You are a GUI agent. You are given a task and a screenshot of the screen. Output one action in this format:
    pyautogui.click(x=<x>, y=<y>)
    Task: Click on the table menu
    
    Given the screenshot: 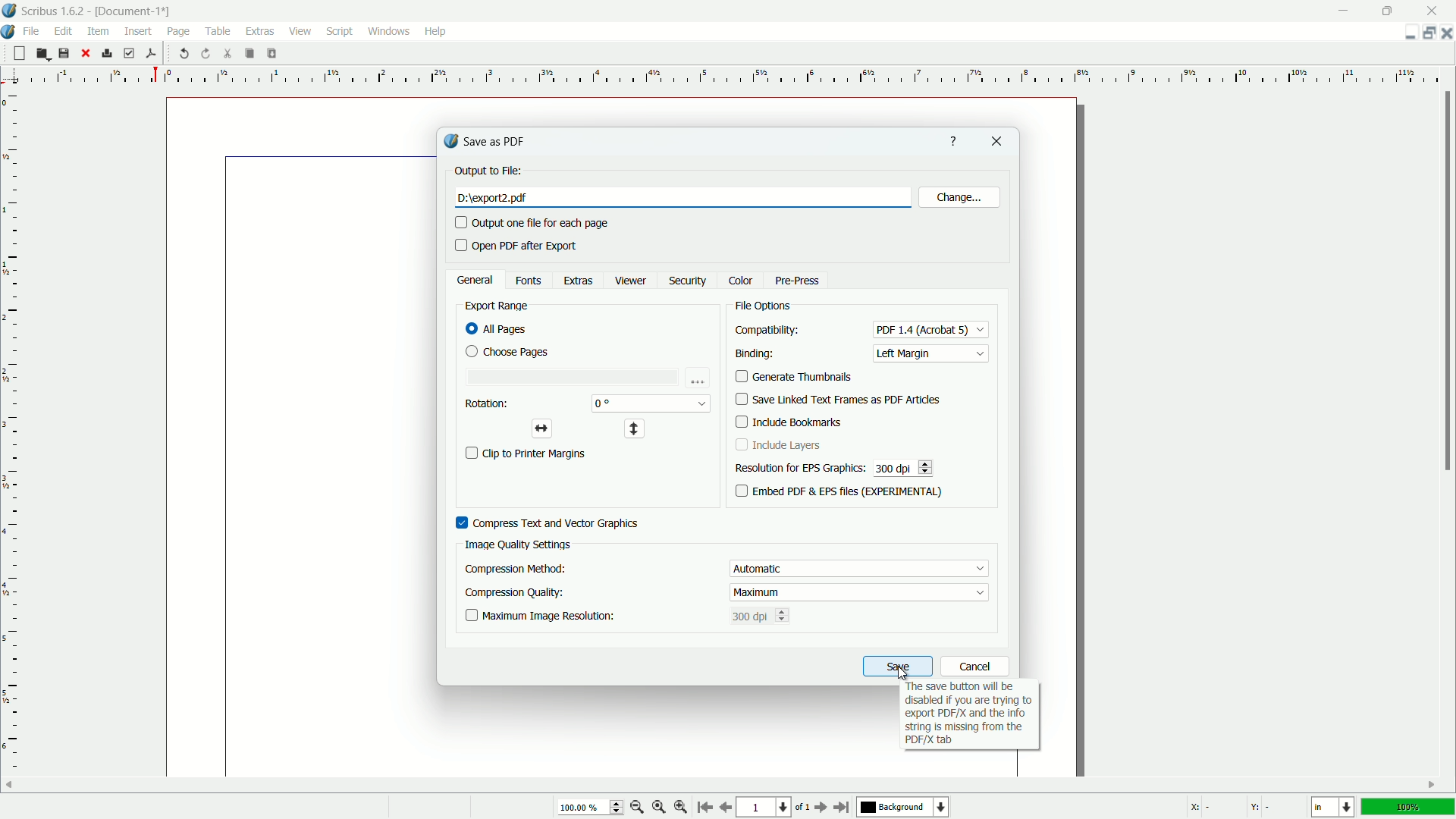 What is the action you would take?
    pyautogui.click(x=217, y=32)
    